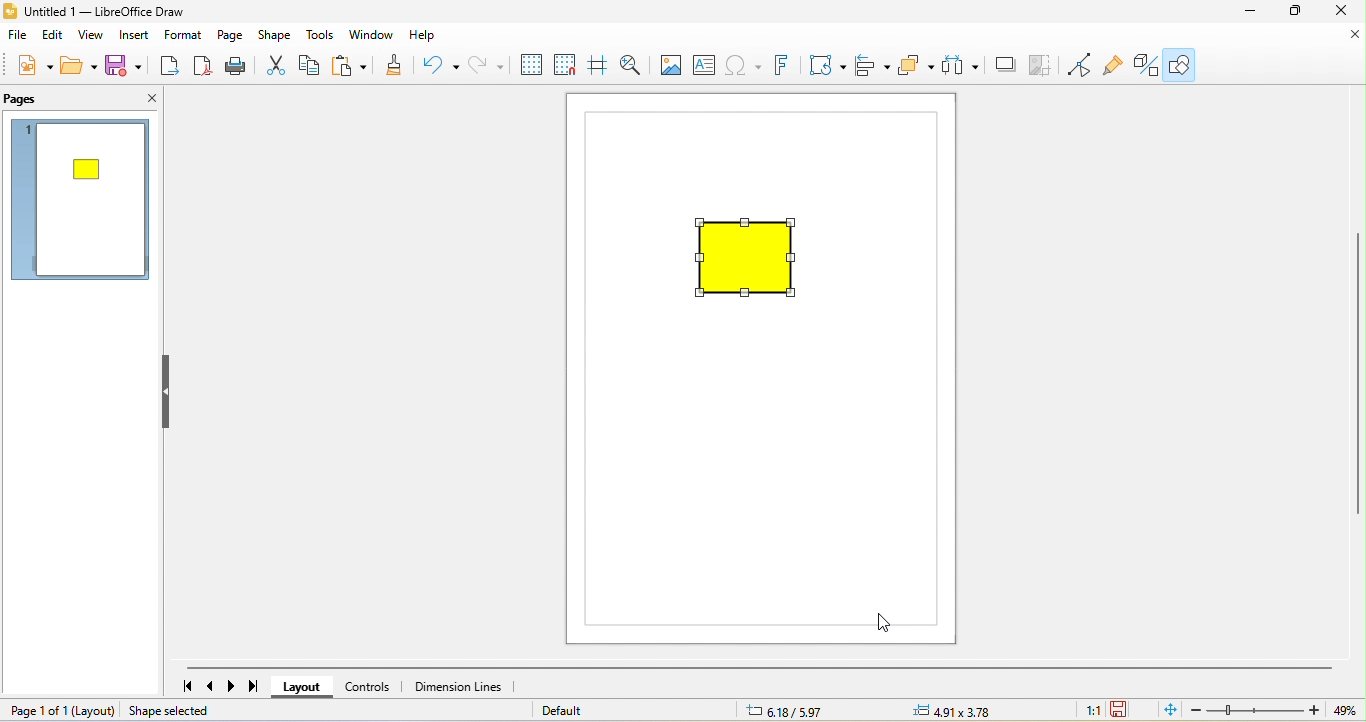 The image size is (1366, 722). I want to click on transformation, so click(824, 65).